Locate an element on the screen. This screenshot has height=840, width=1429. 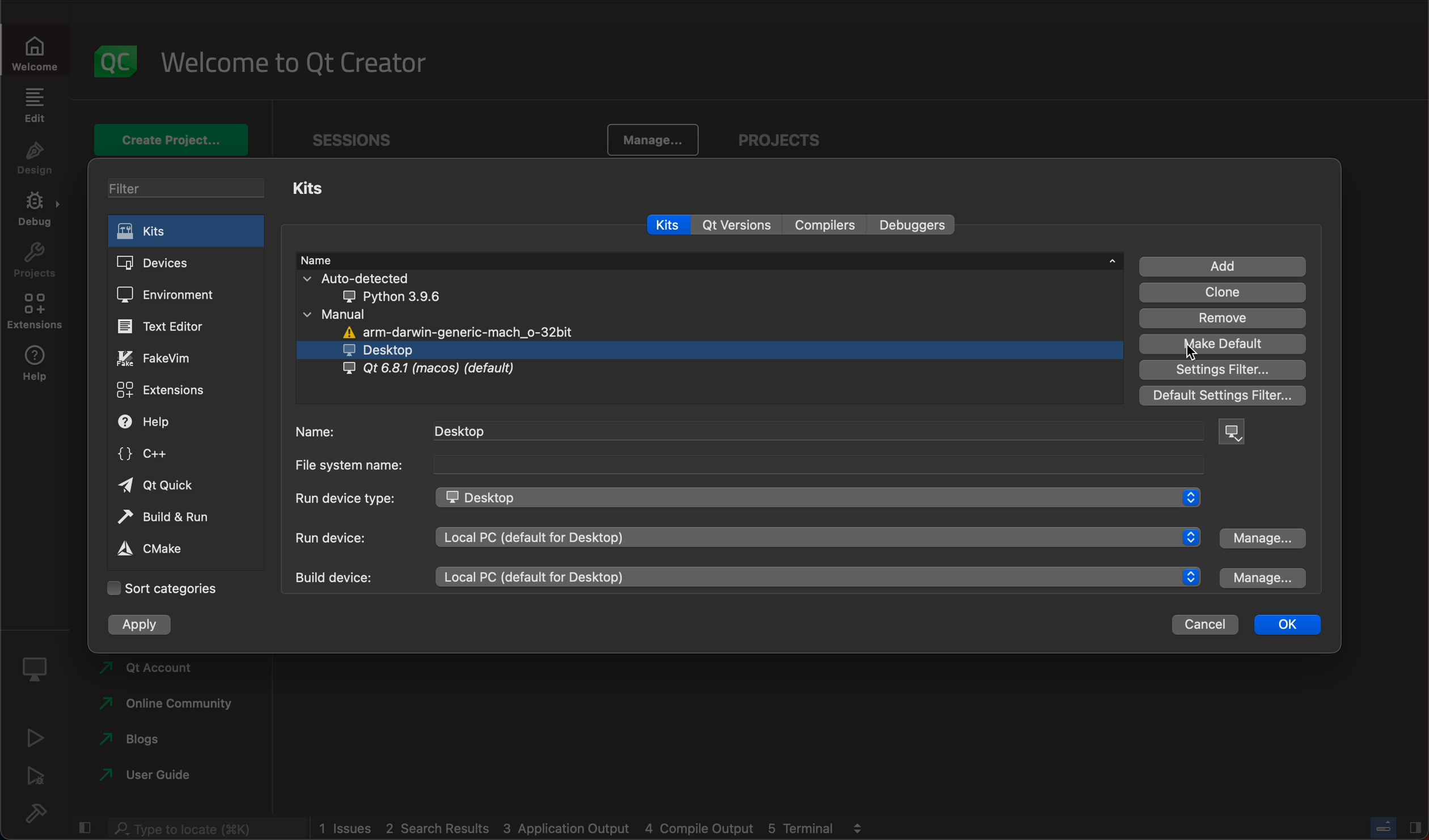
projects is located at coordinates (33, 265).